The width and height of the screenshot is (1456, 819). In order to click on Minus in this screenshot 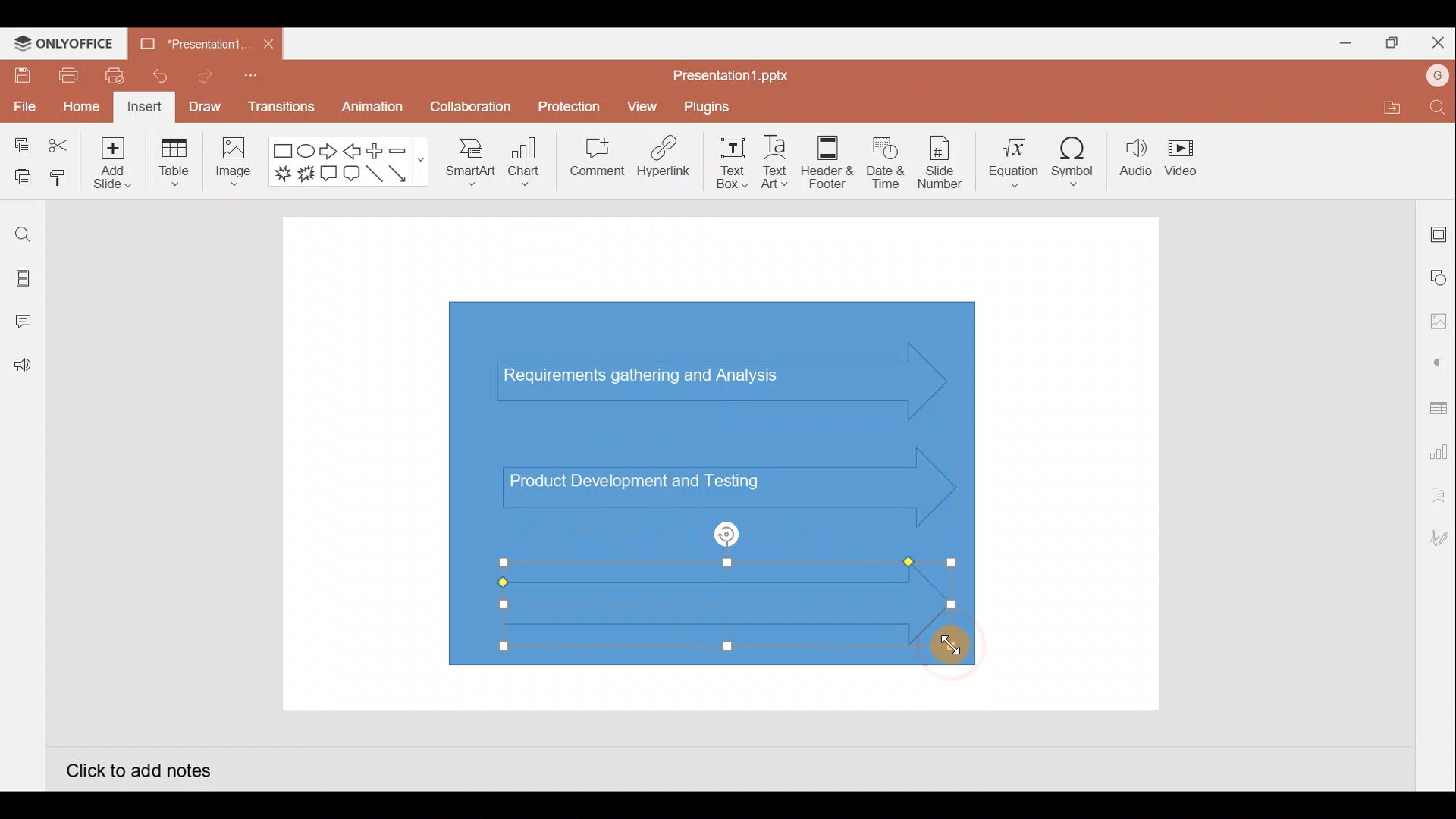, I will do `click(406, 149)`.